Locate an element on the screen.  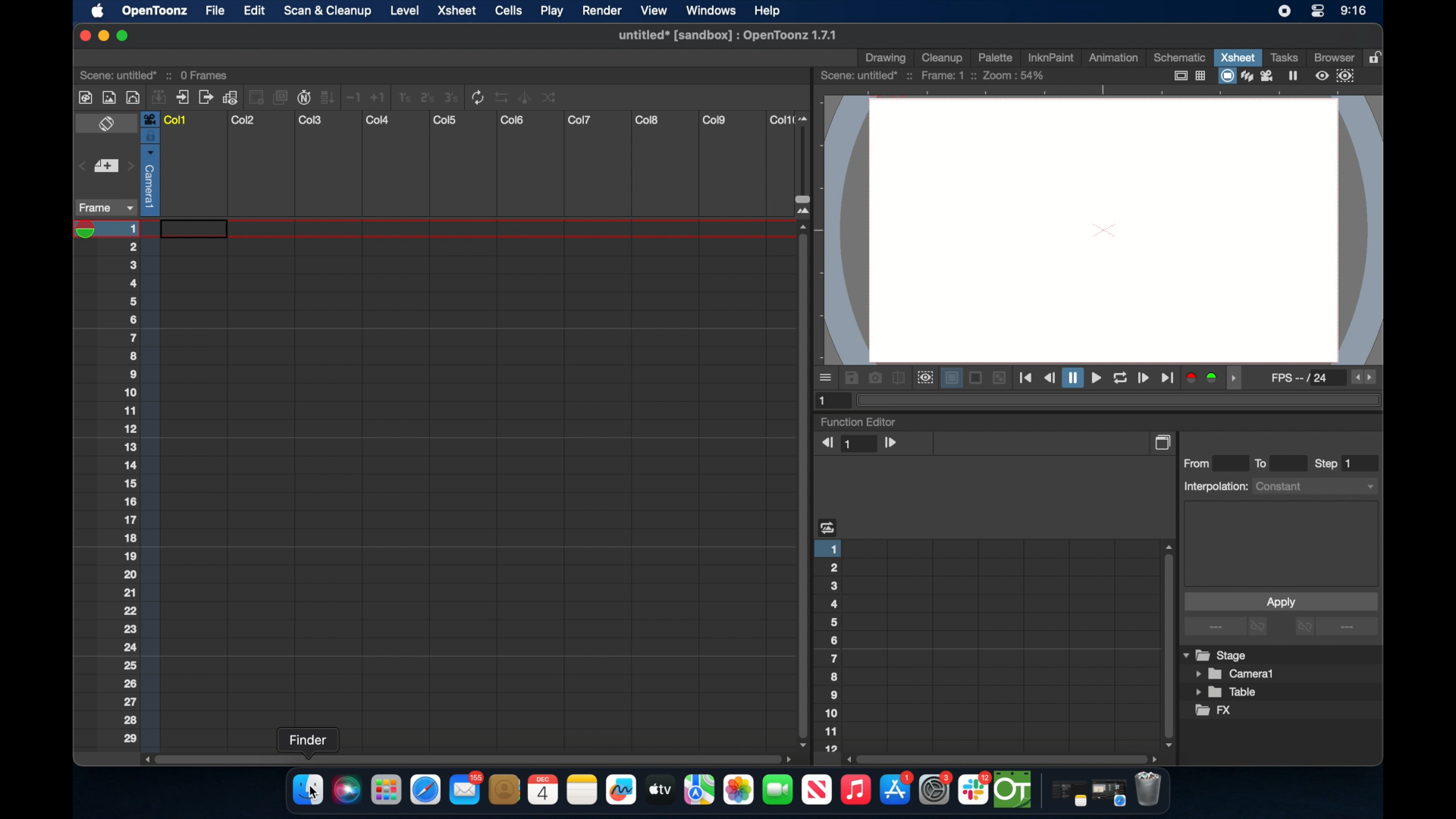
facetime is located at coordinates (778, 788).